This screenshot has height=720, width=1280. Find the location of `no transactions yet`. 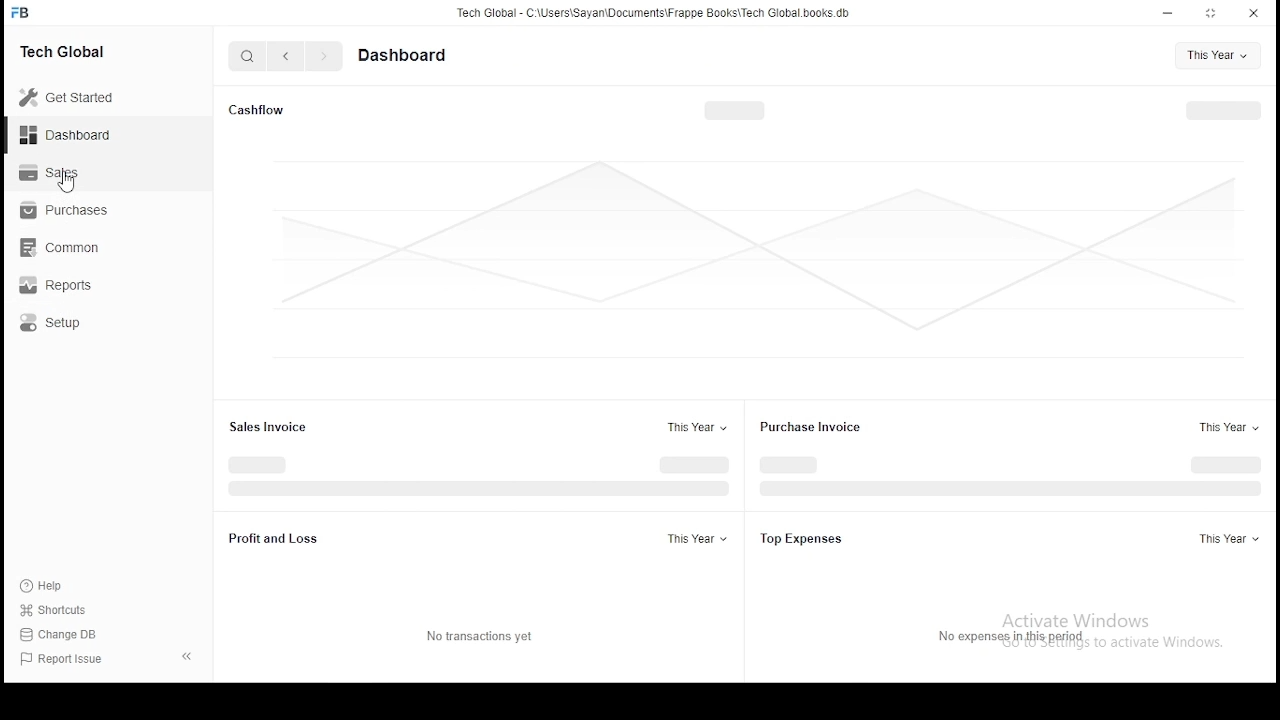

no transactions yet is located at coordinates (477, 636).